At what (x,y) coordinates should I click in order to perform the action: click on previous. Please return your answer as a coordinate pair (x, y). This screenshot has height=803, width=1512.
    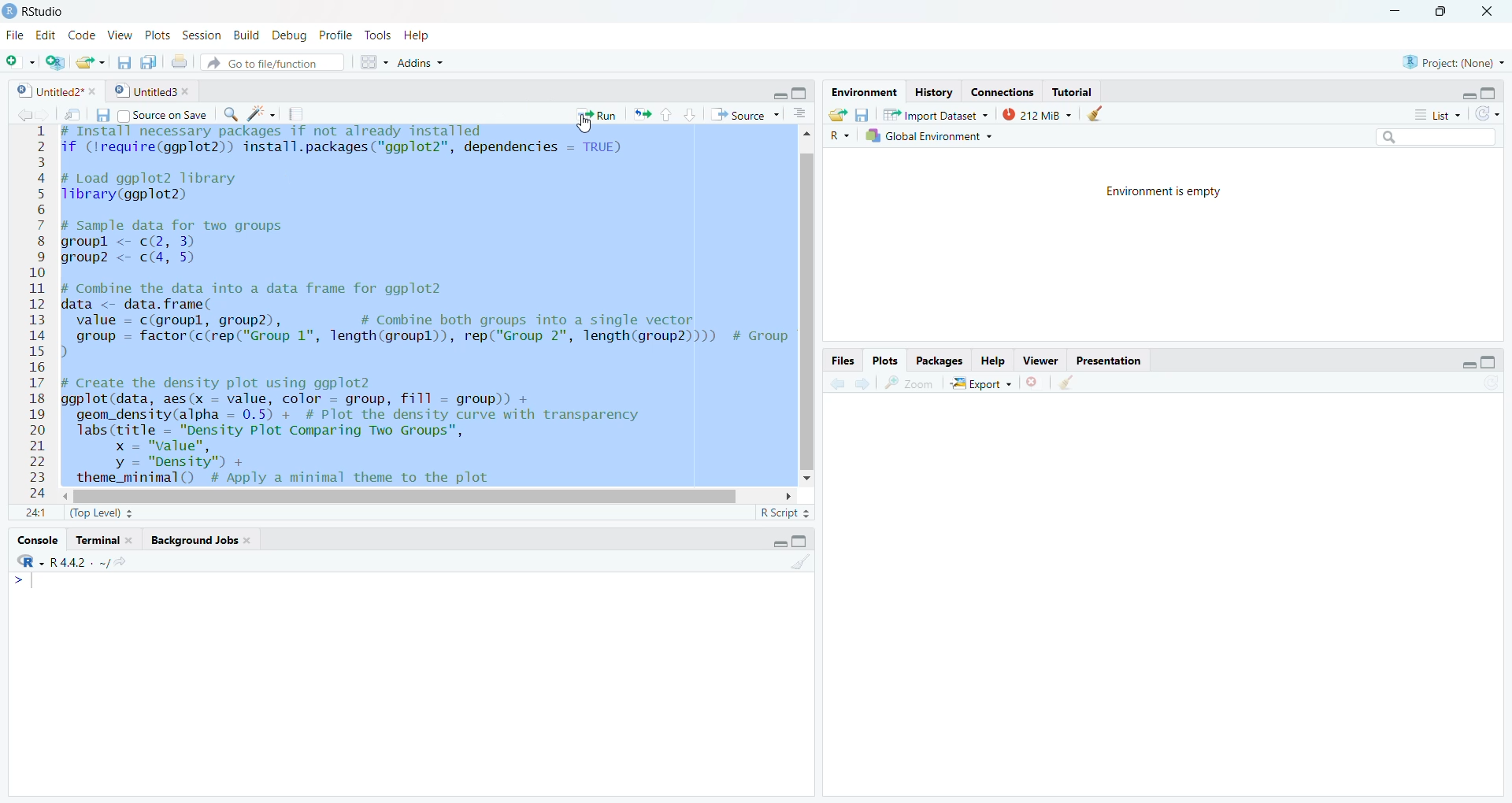
    Looking at the image, I should click on (838, 383).